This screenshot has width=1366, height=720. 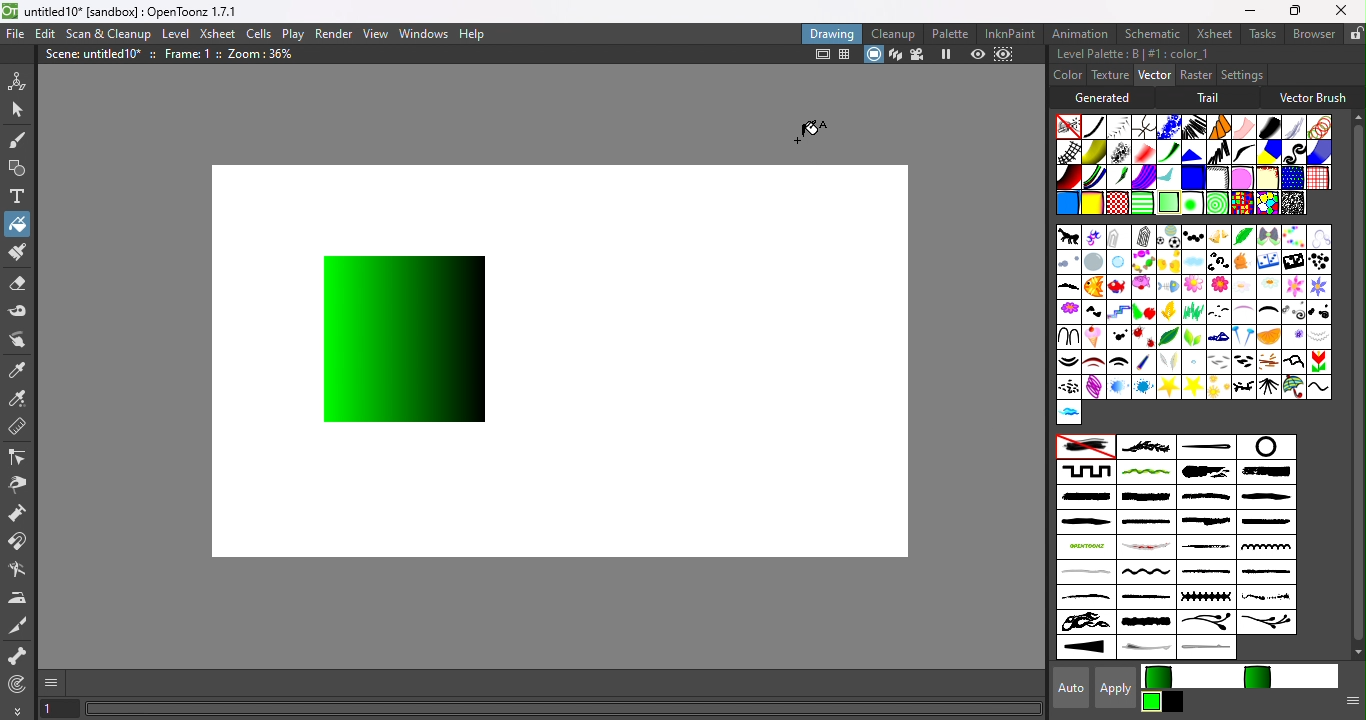 I want to click on atta, so click(x=1119, y=236).